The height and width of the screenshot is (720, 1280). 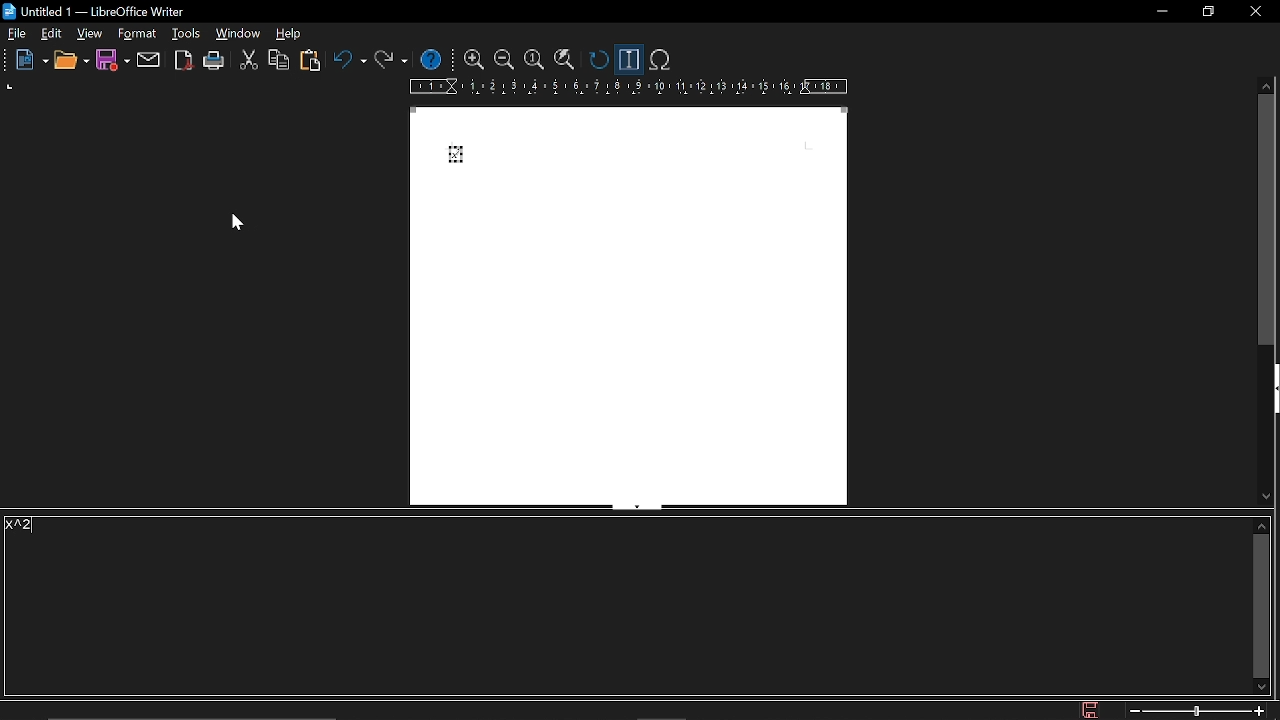 I want to click on symbols, so click(x=662, y=60).